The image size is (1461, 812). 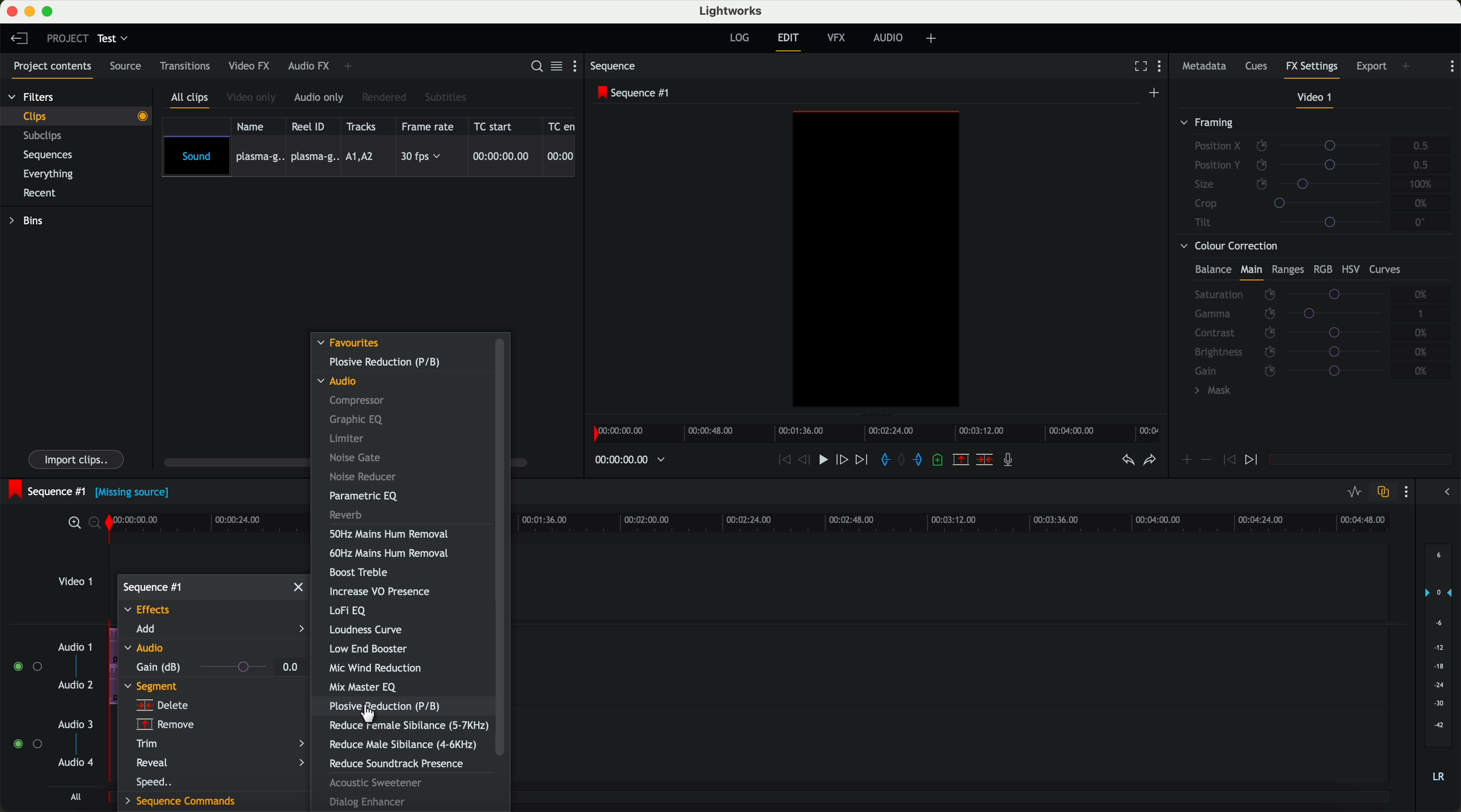 What do you see at coordinates (368, 802) in the screenshot?
I see `dialog enhancer` at bounding box center [368, 802].